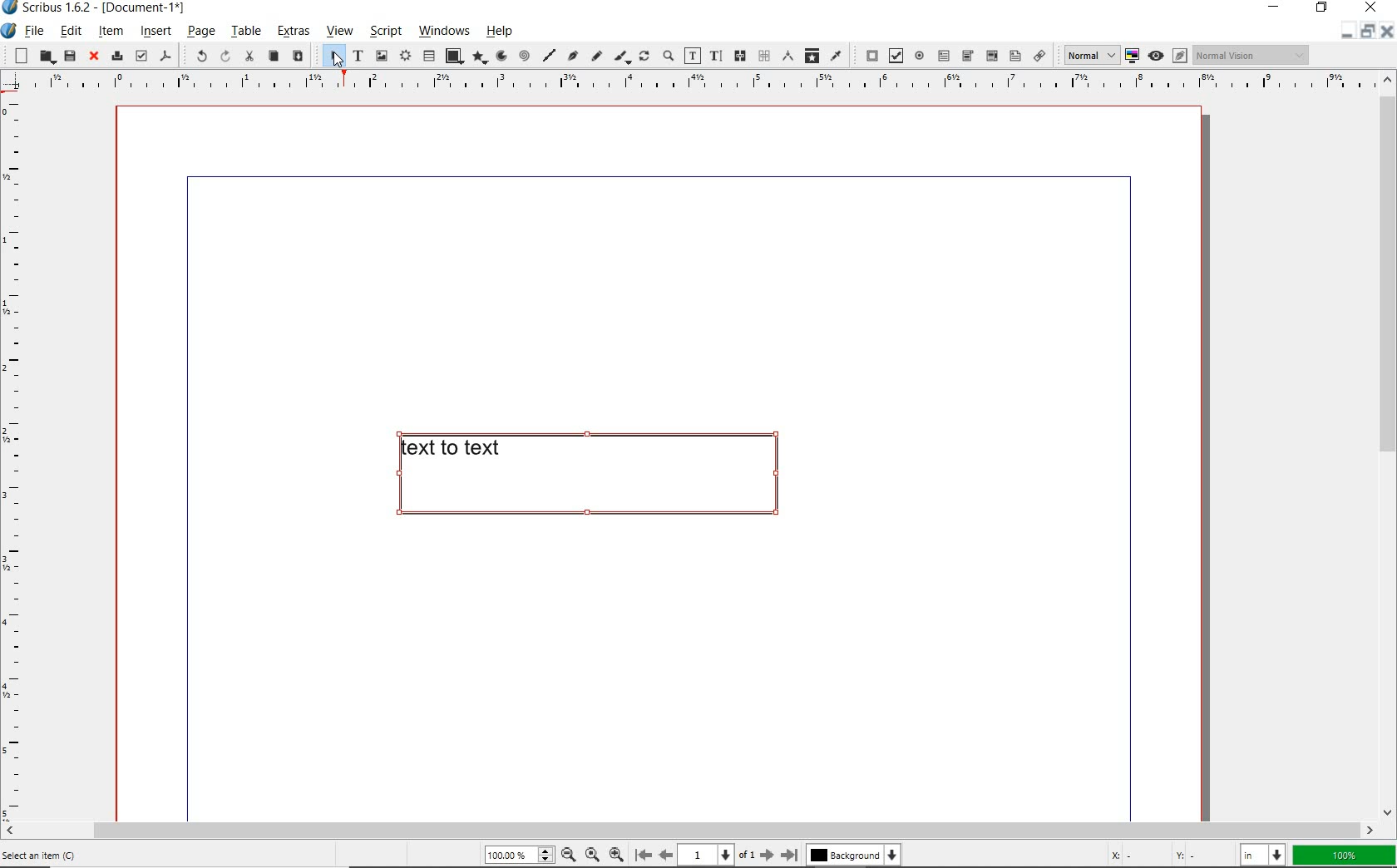  Describe the element at coordinates (200, 32) in the screenshot. I see `page` at that location.